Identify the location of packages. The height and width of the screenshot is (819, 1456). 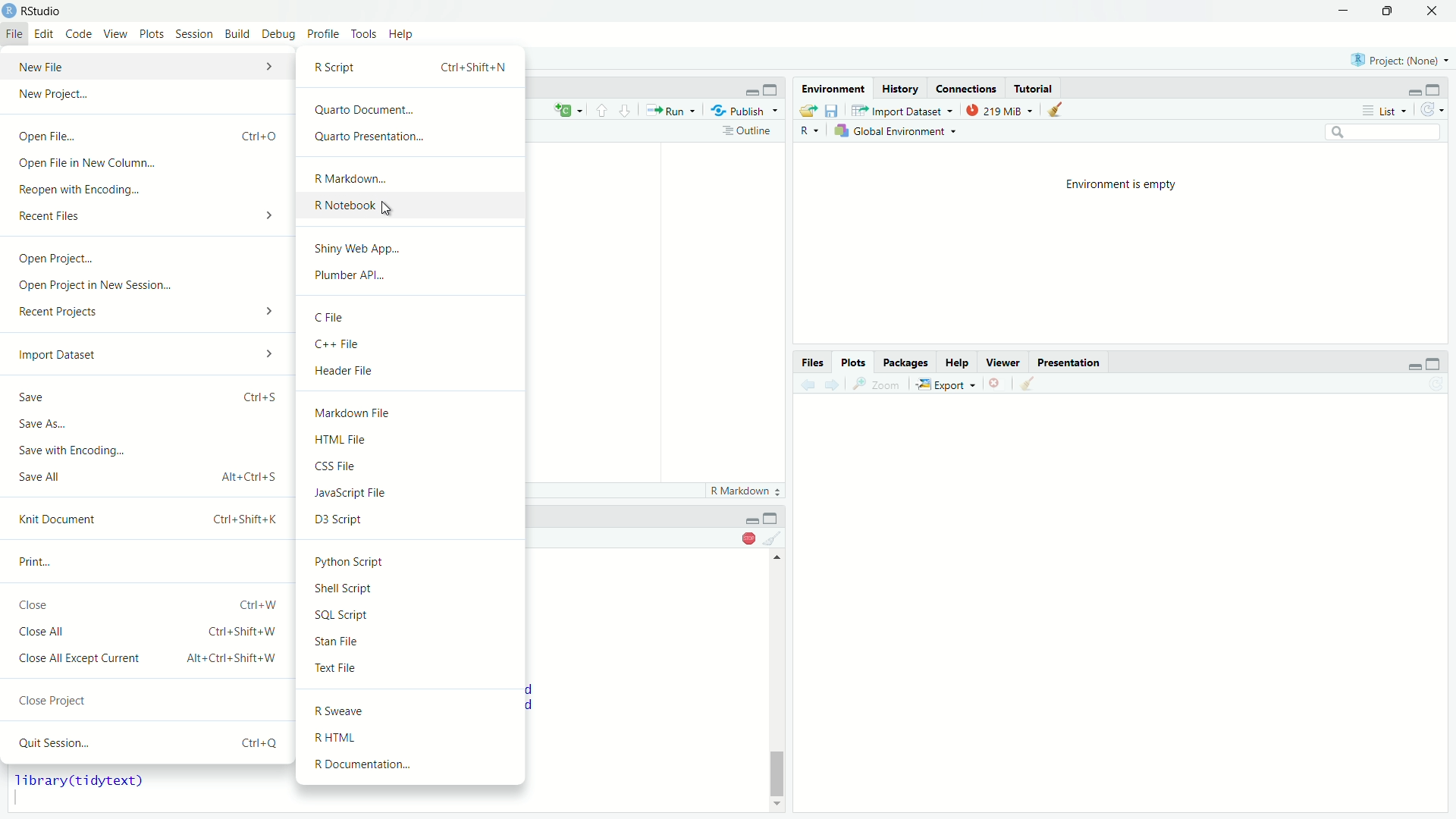
(906, 362).